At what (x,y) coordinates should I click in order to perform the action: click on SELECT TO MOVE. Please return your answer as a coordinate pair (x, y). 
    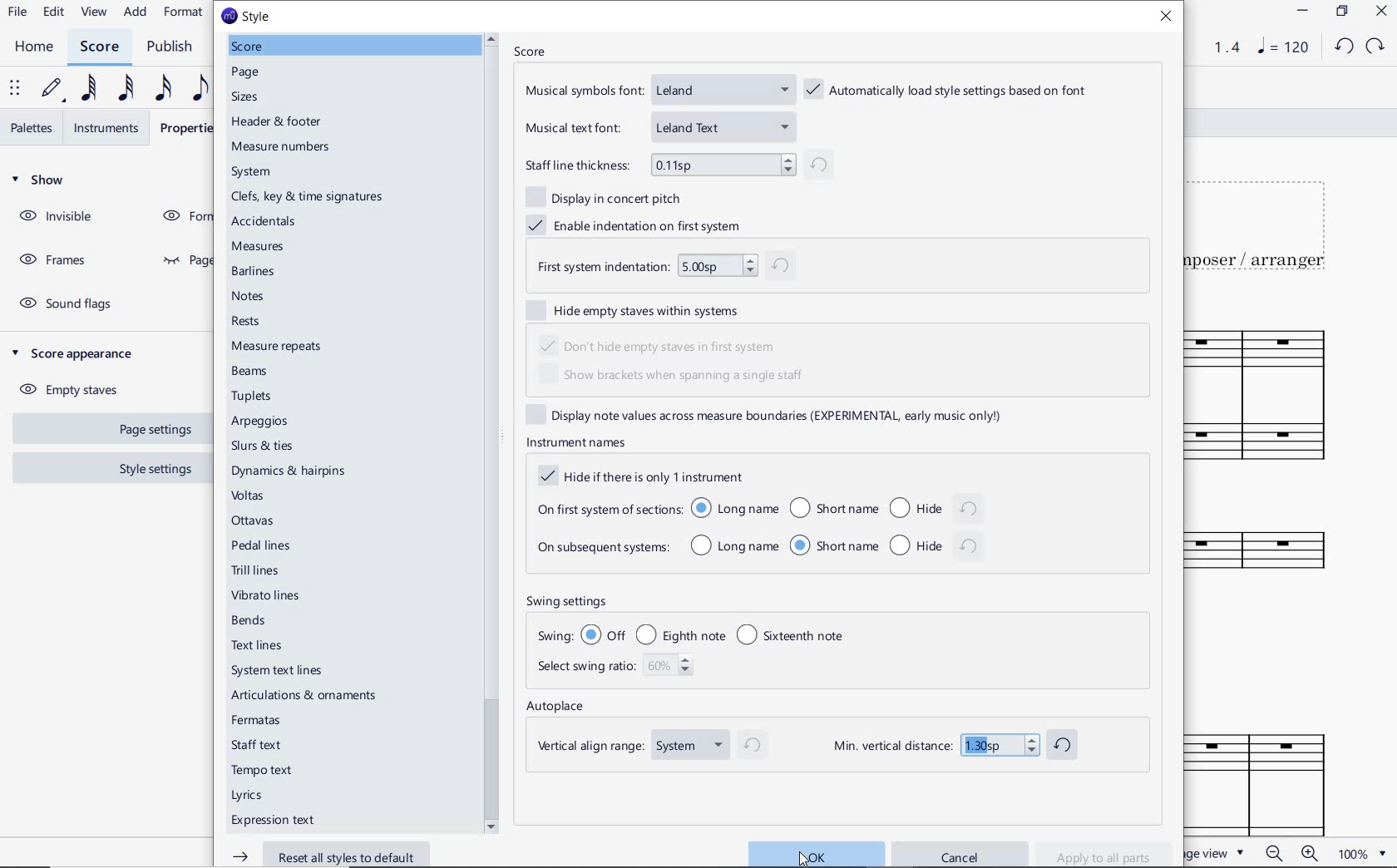
    Looking at the image, I should click on (18, 87).